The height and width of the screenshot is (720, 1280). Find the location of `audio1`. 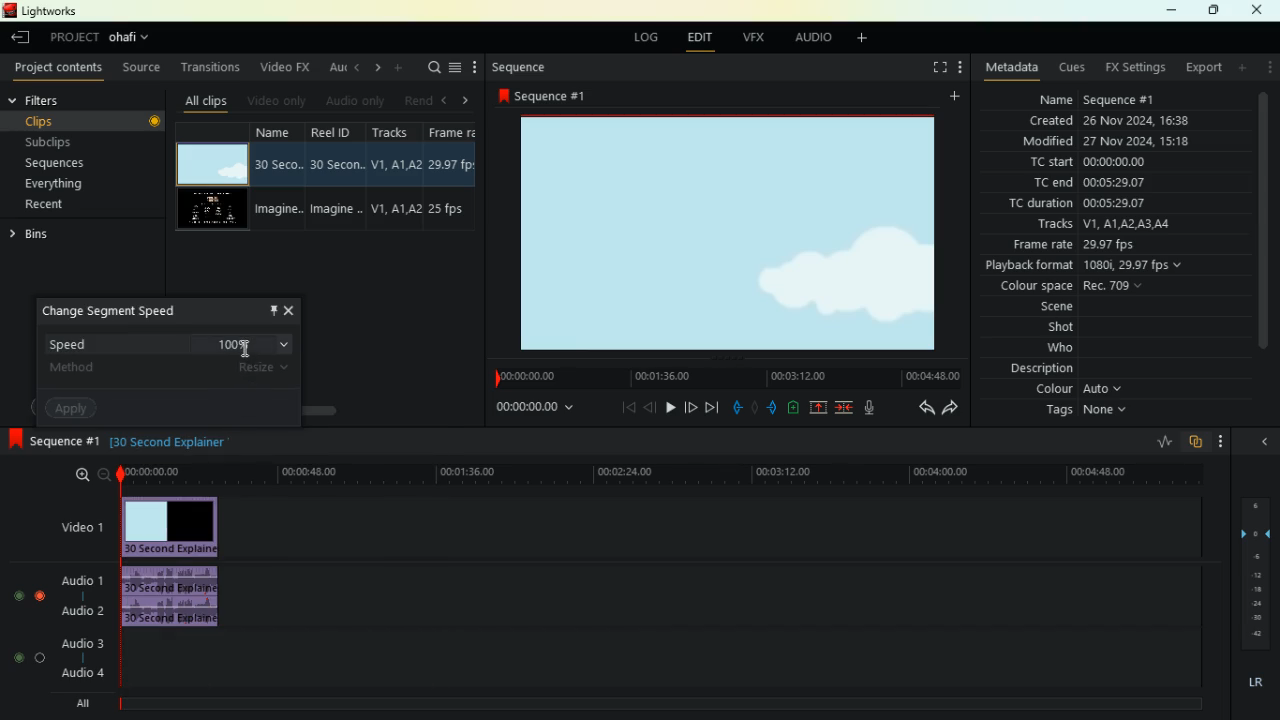

audio1 is located at coordinates (78, 577).